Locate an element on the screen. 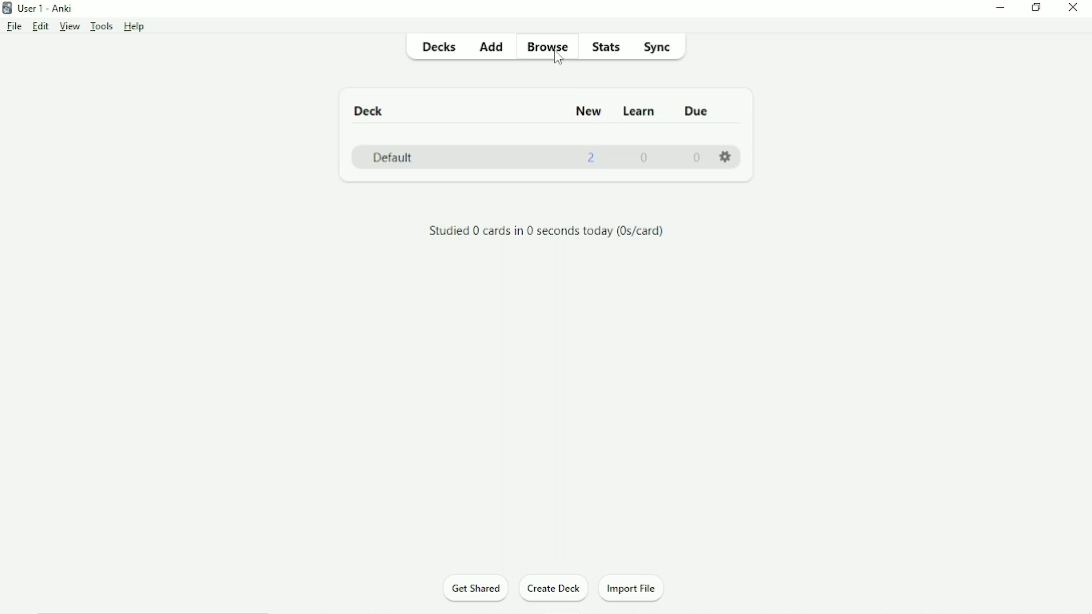 This screenshot has height=614, width=1092. Add is located at coordinates (493, 50).